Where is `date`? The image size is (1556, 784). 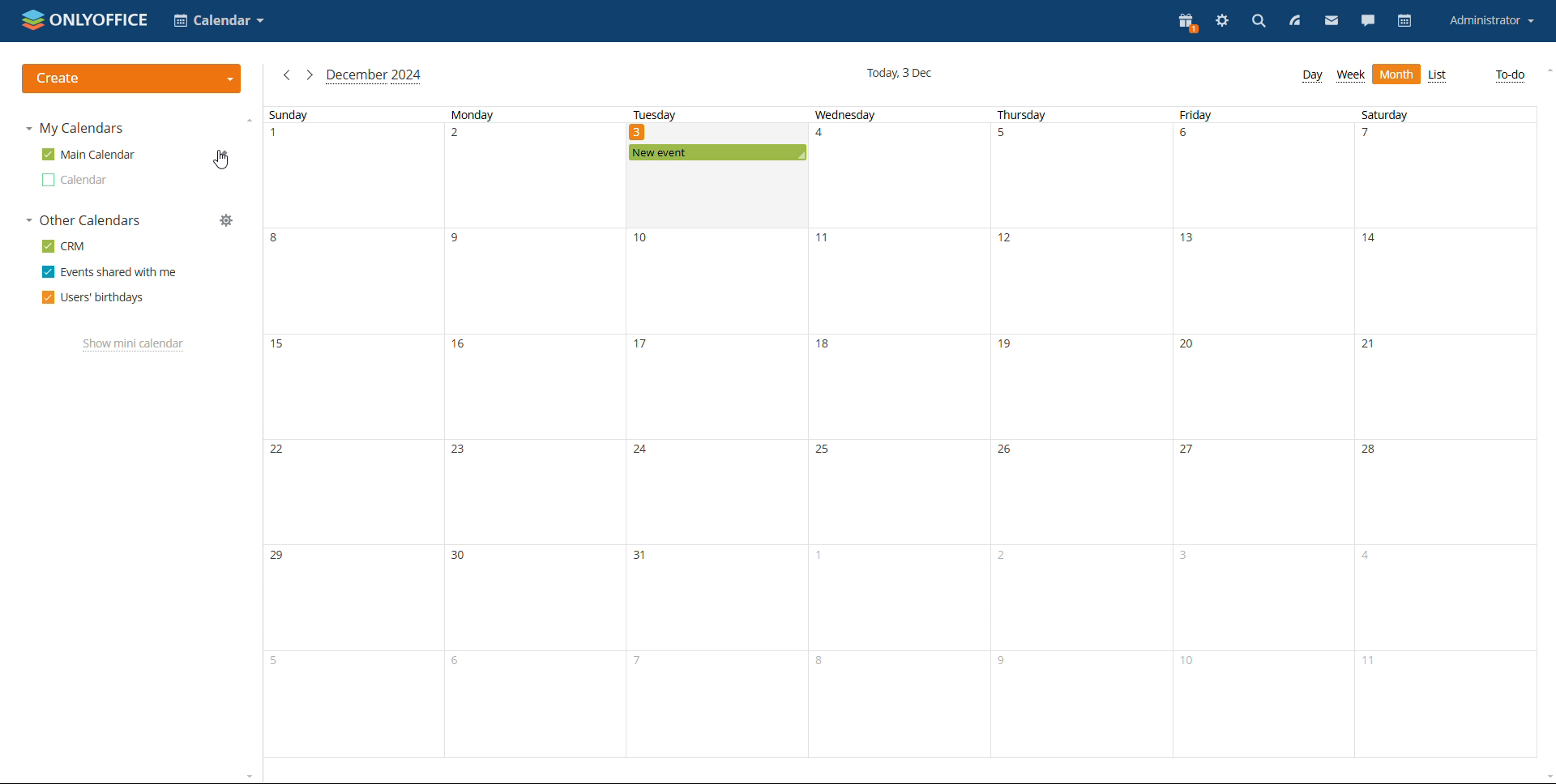
date is located at coordinates (717, 386).